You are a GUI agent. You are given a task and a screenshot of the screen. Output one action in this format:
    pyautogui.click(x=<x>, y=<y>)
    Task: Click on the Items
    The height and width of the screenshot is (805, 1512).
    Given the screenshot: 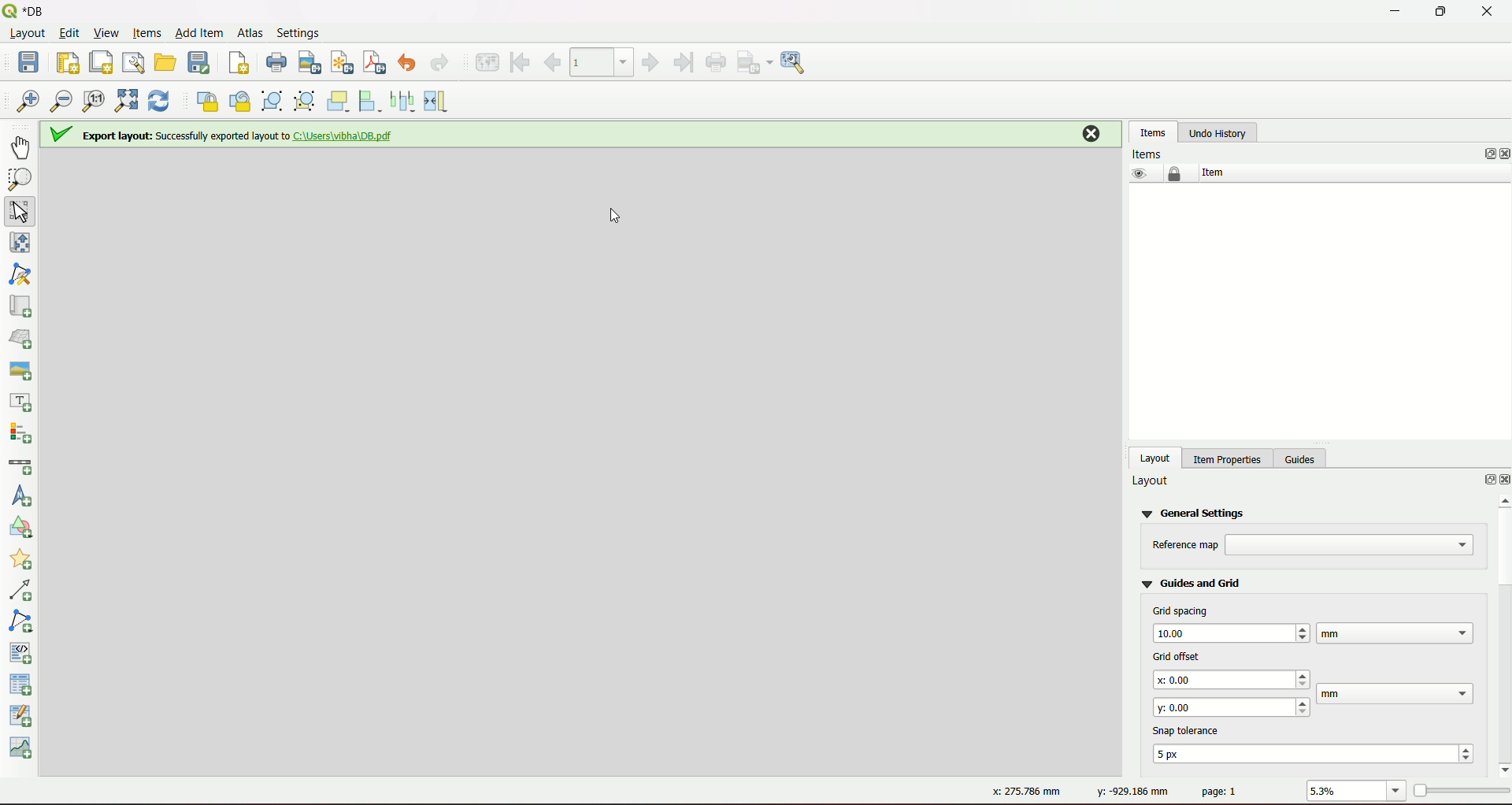 What is the action you would take?
    pyautogui.click(x=146, y=34)
    